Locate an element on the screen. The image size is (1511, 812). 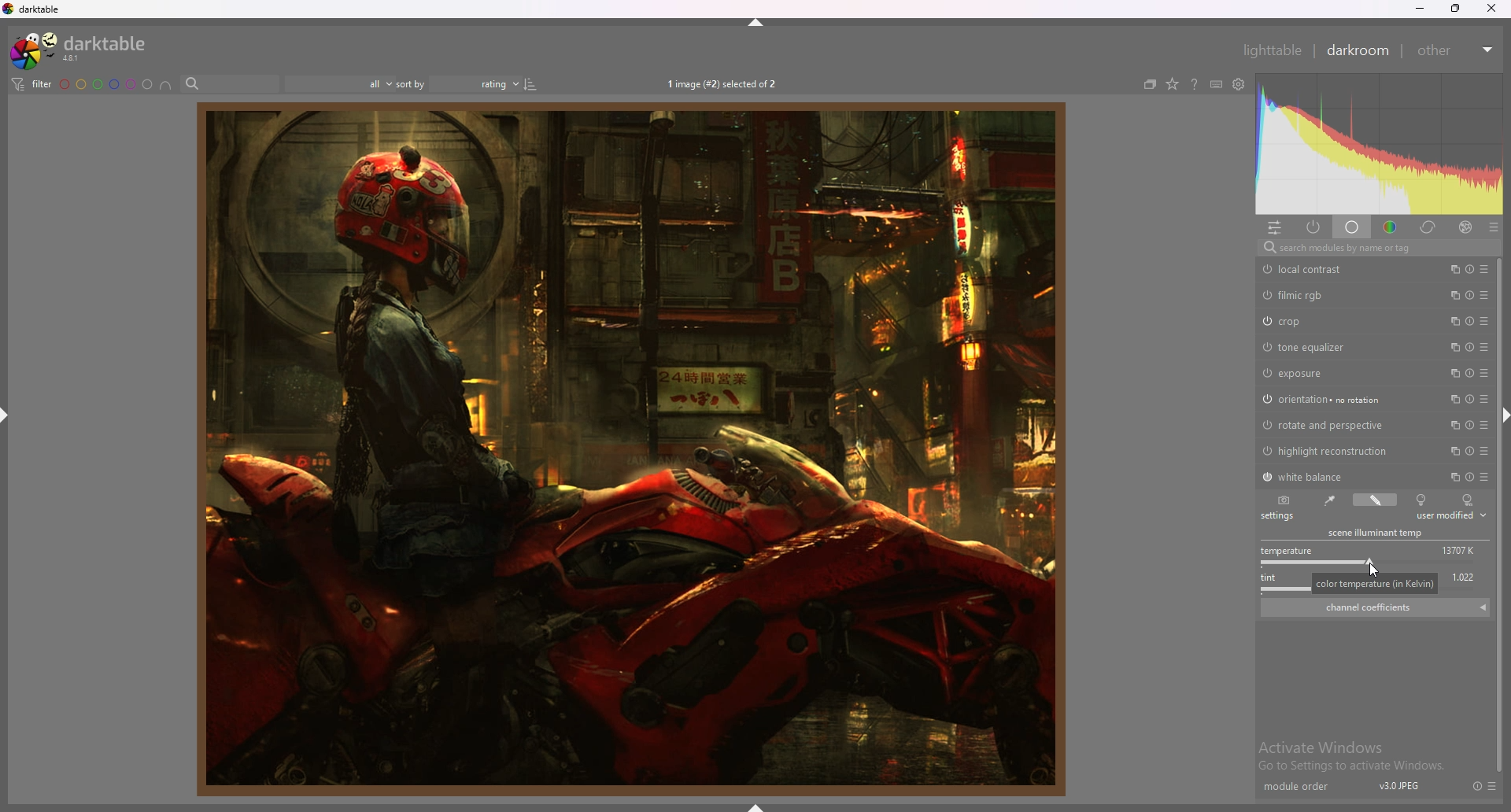
temperature description is located at coordinates (1376, 584).